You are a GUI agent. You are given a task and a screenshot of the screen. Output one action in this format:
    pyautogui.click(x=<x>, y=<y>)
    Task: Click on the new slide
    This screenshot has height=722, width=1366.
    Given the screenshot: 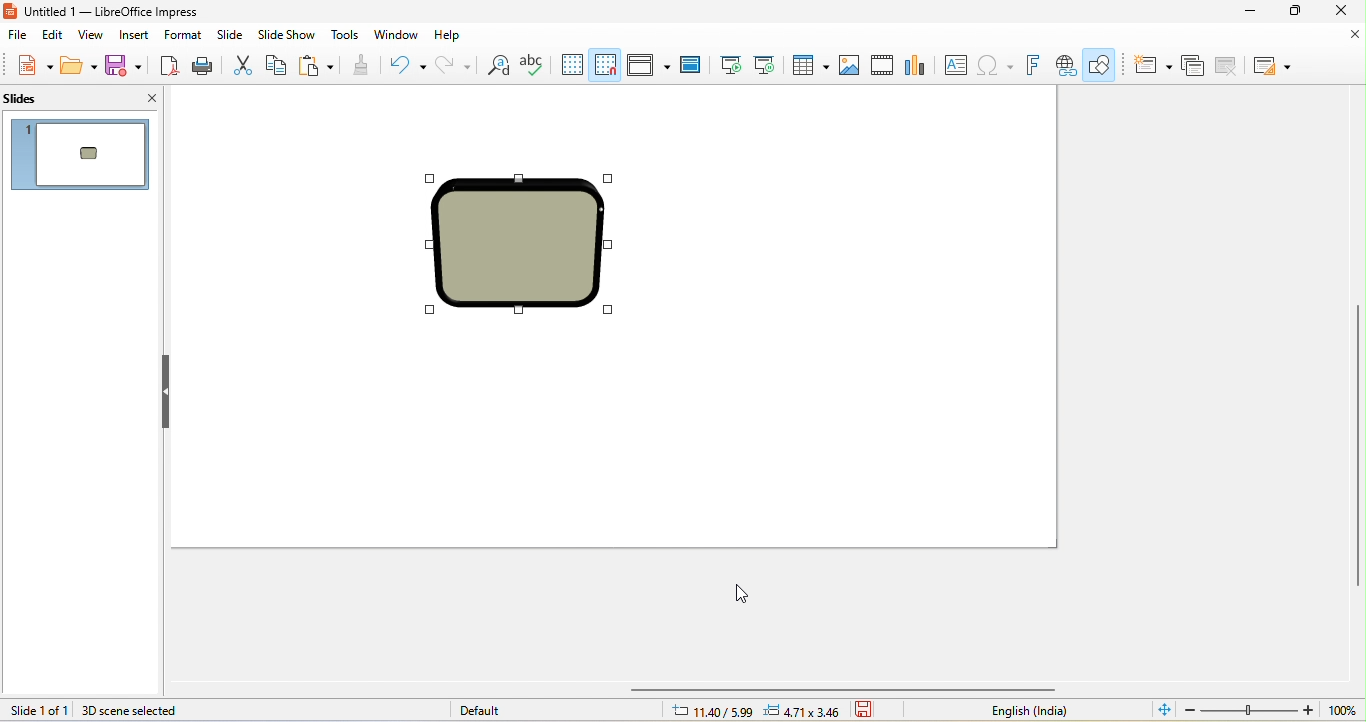 What is the action you would take?
    pyautogui.click(x=1153, y=64)
    